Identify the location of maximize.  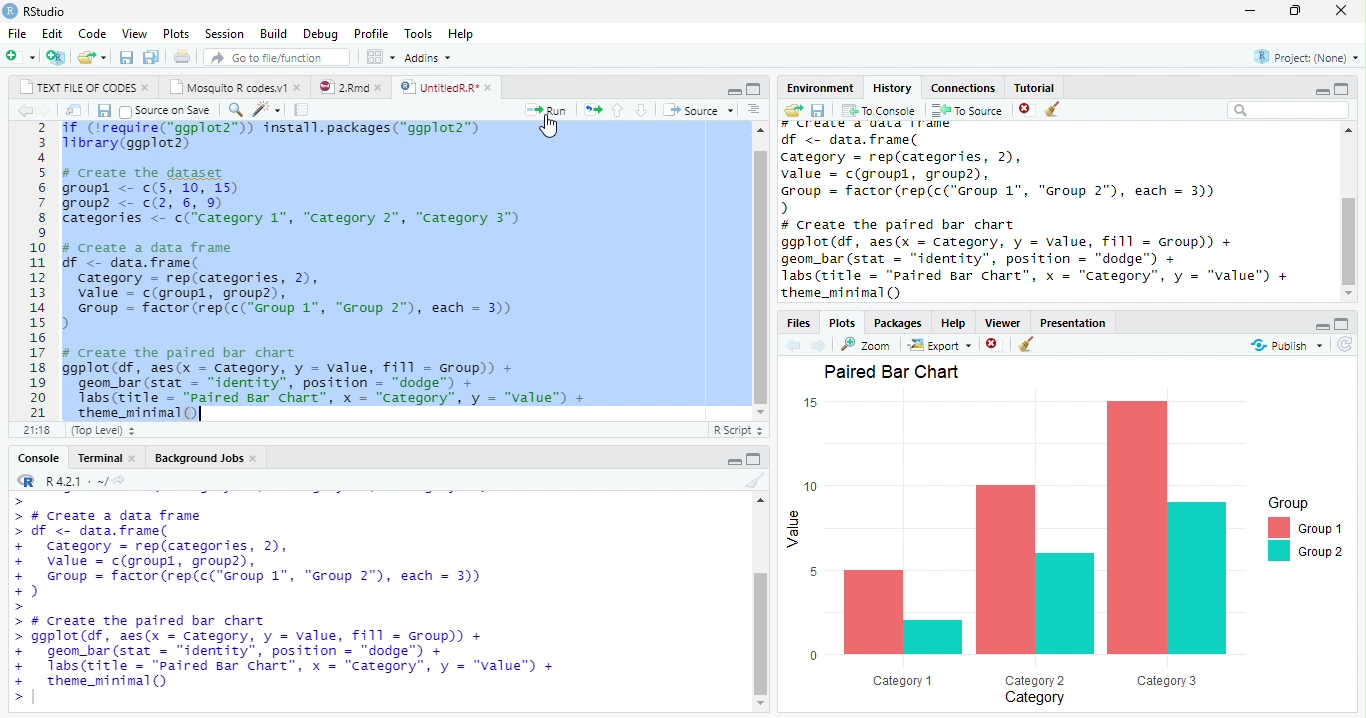
(1295, 11).